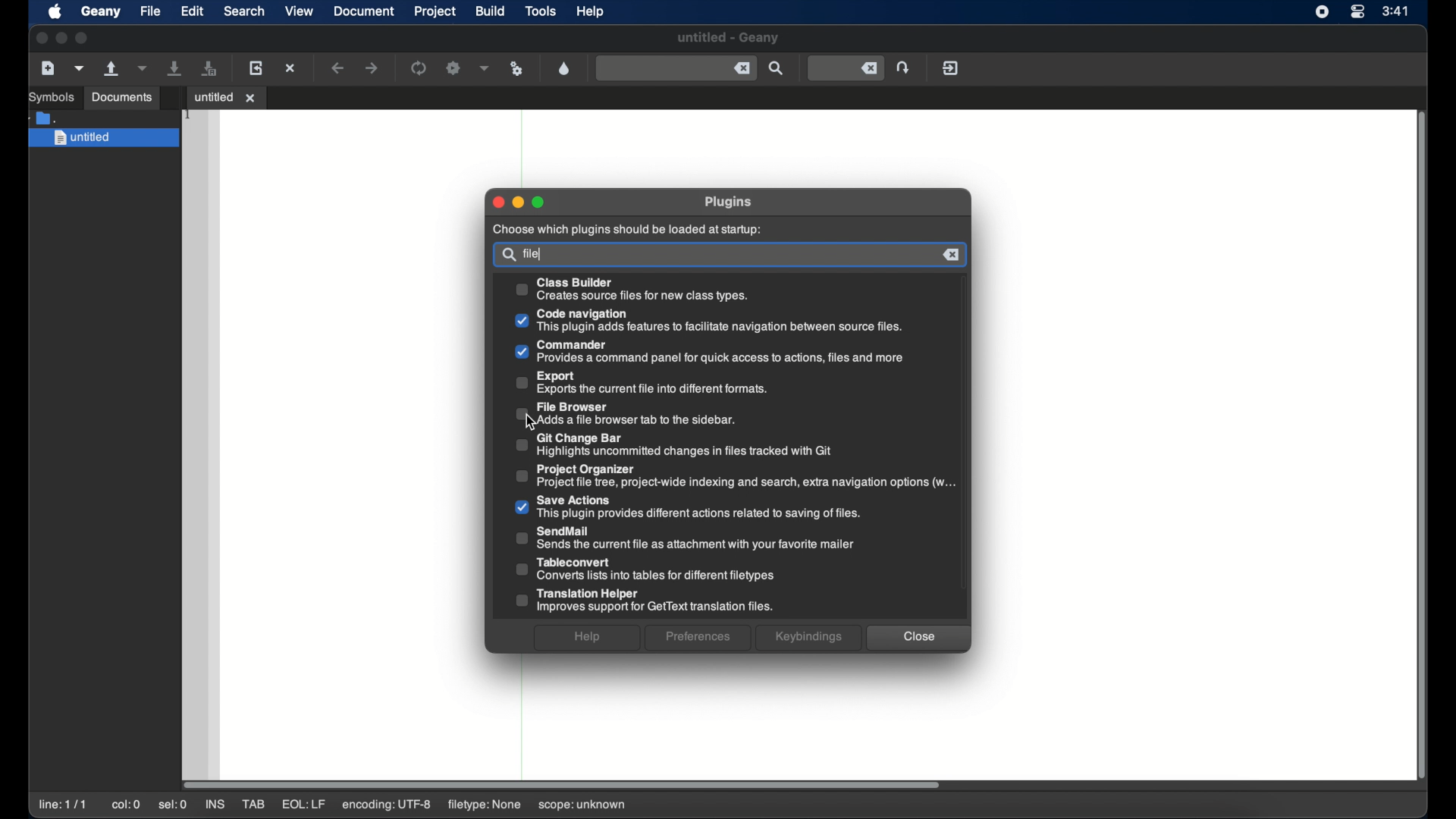  What do you see at coordinates (635, 290) in the screenshot?
I see `` at bounding box center [635, 290].